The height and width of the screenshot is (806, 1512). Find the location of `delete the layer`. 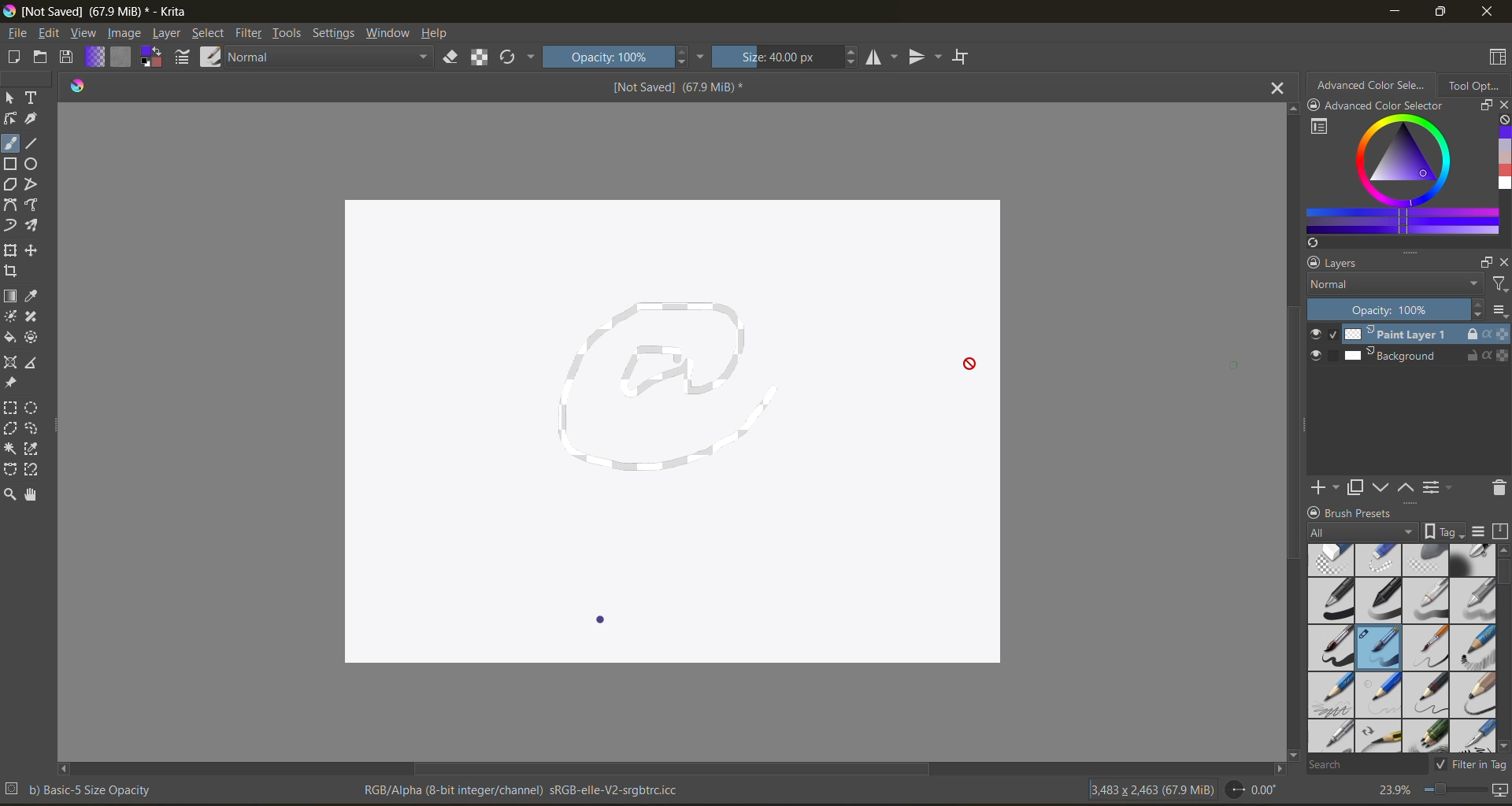

delete the layer is located at coordinates (1496, 488).